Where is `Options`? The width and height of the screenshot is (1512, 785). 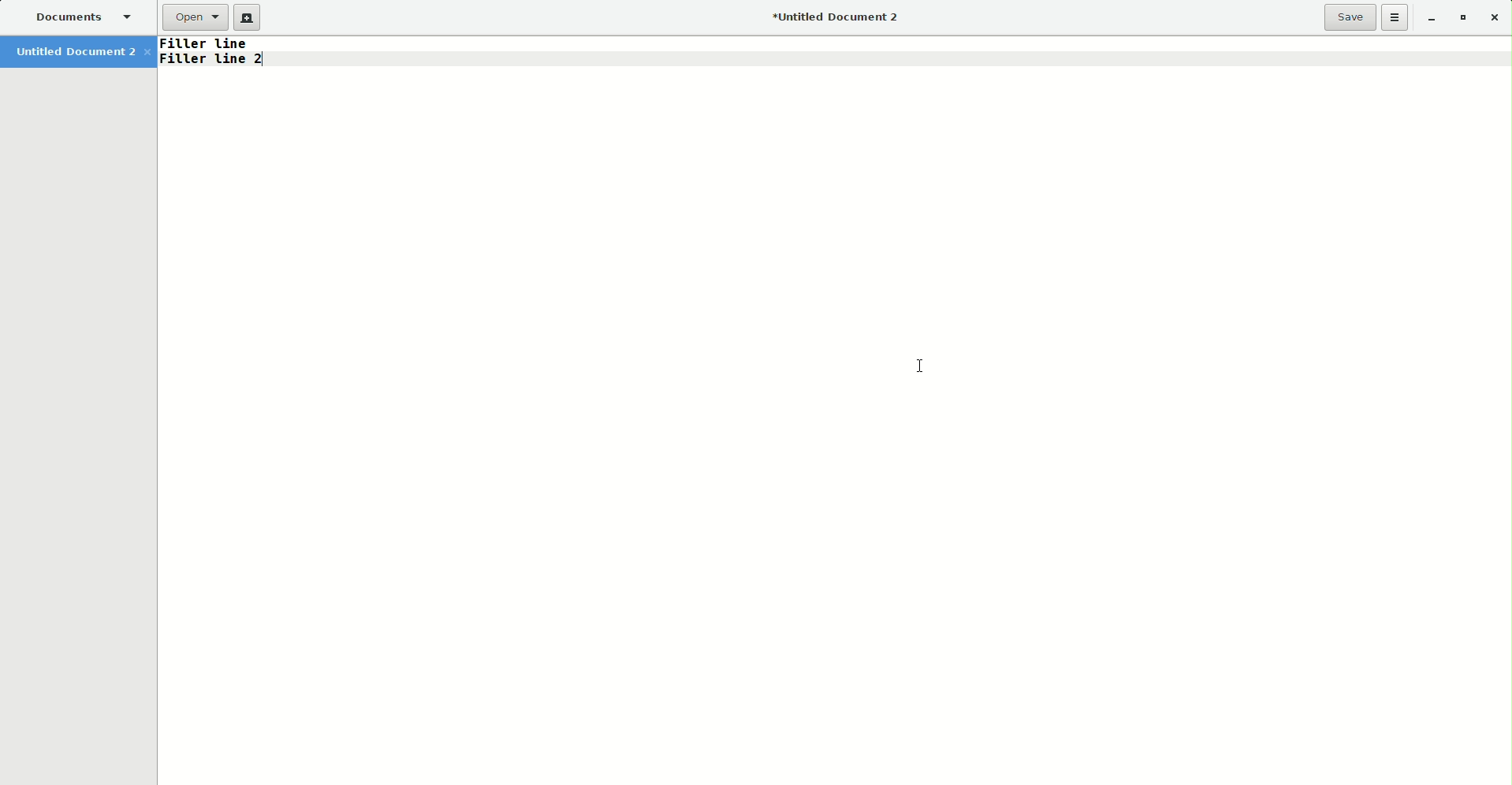 Options is located at coordinates (1395, 17).